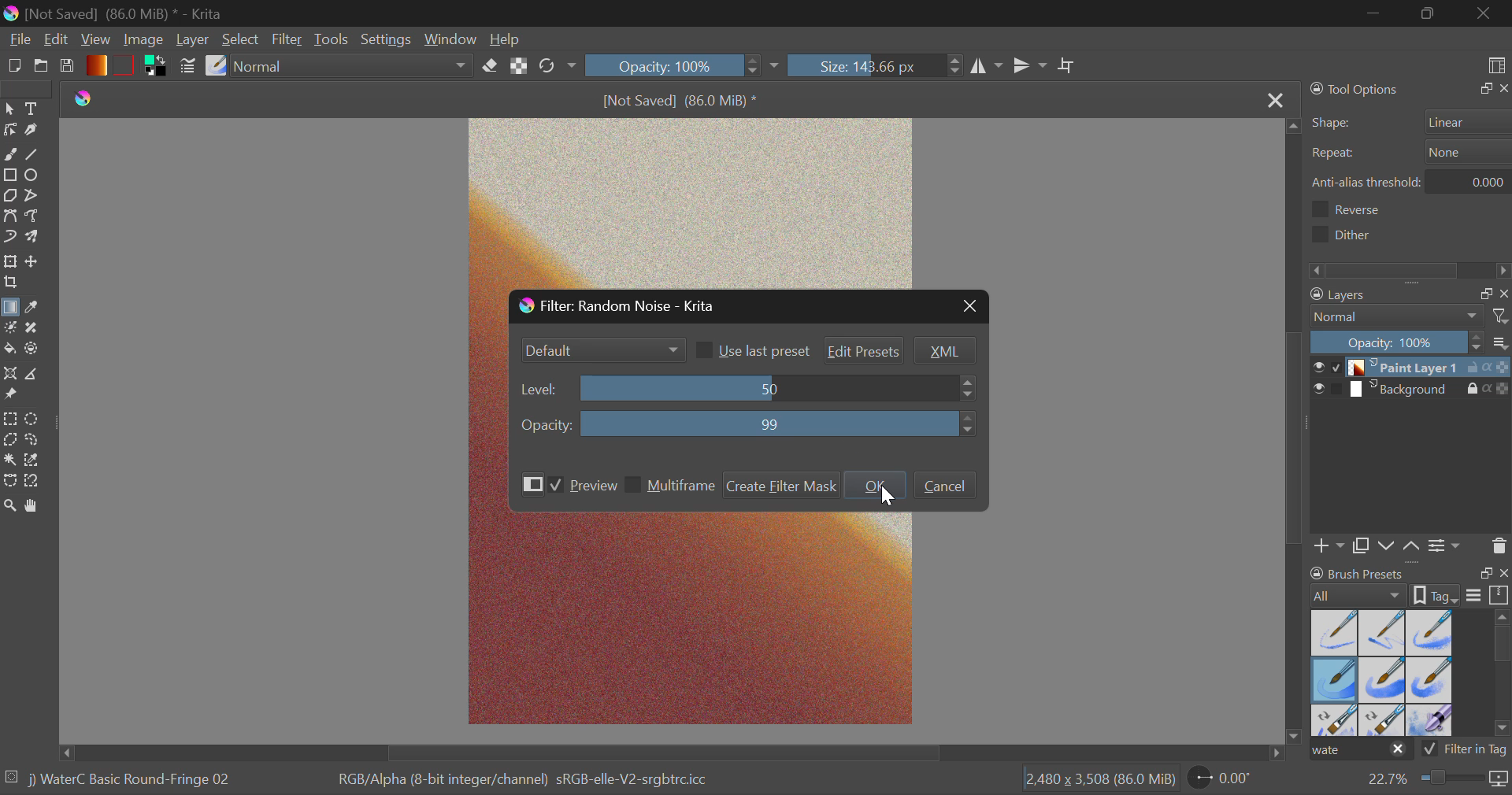 The width and height of the screenshot is (1512, 795). I want to click on repeat button, so click(1464, 152).